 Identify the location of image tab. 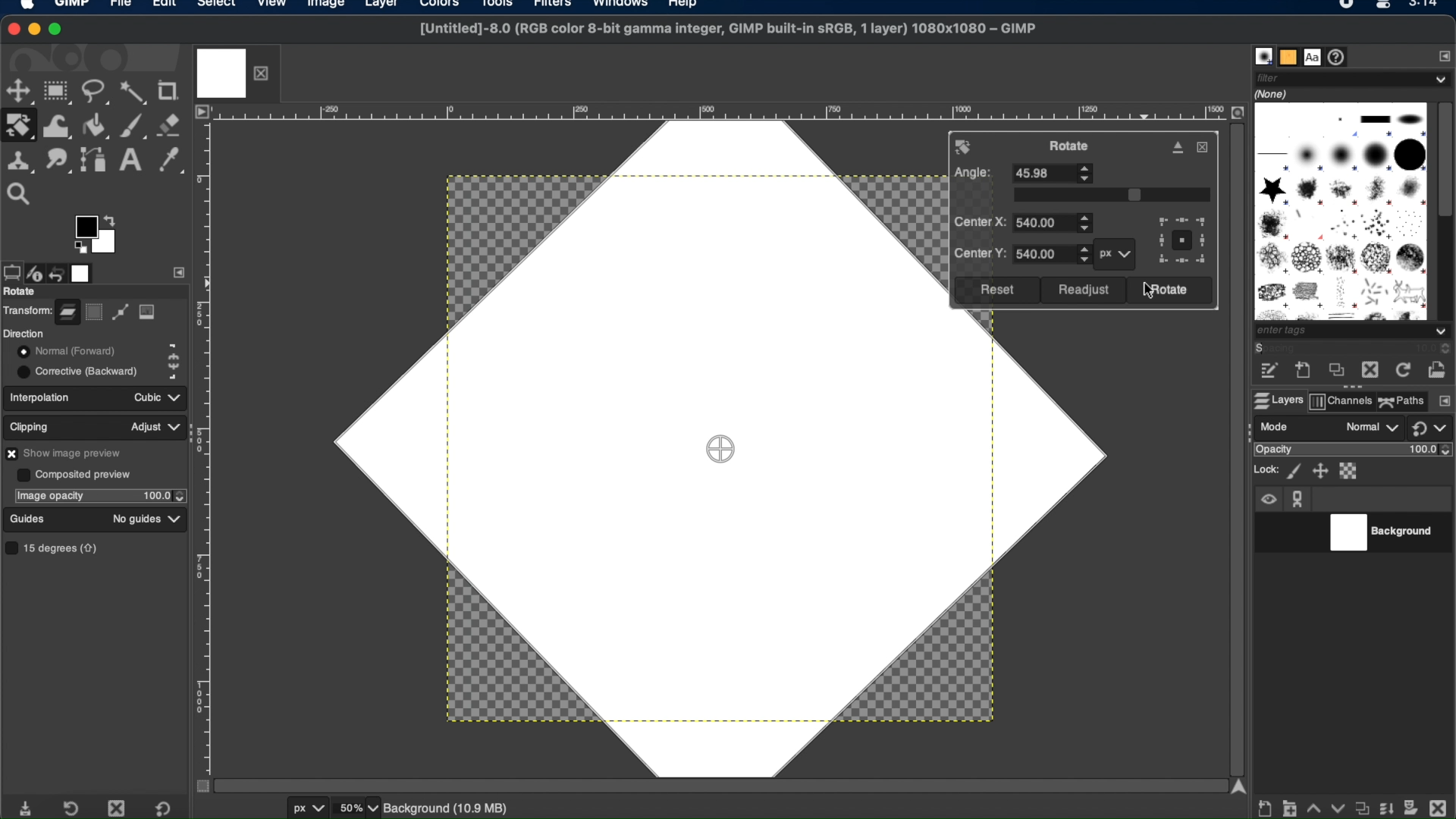
(221, 72).